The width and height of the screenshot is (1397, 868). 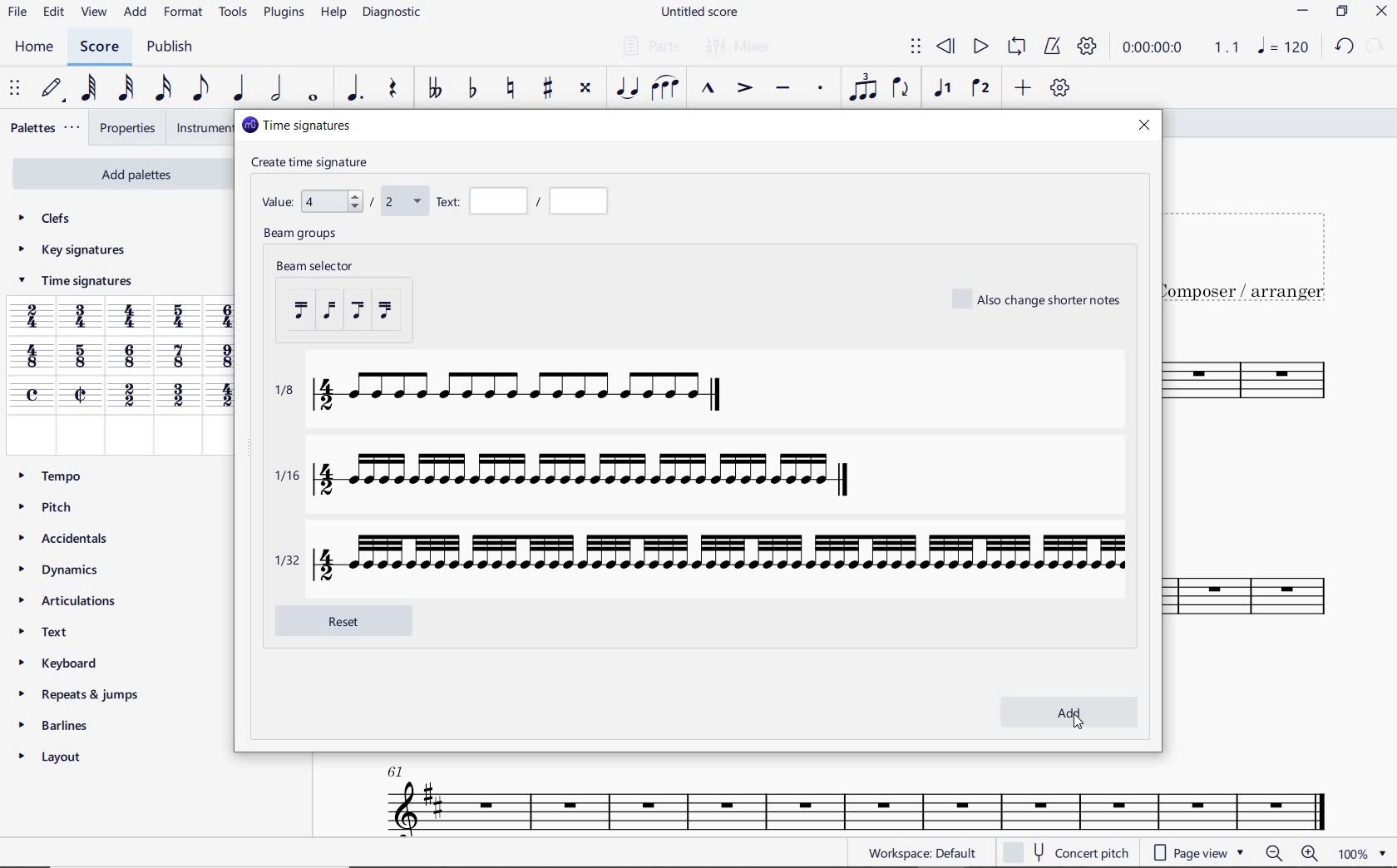 What do you see at coordinates (182, 316) in the screenshot?
I see `5/4` at bounding box center [182, 316].